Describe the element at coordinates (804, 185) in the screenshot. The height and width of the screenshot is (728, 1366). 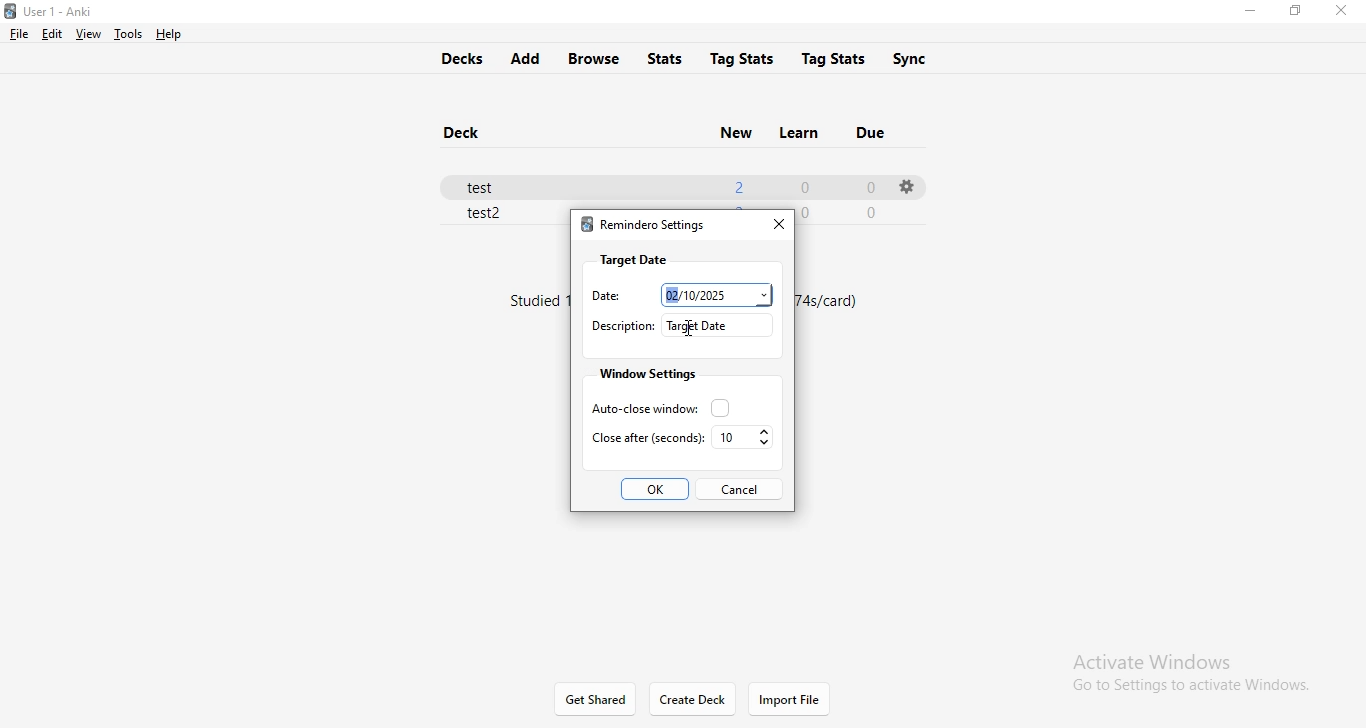
I see `0` at that location.